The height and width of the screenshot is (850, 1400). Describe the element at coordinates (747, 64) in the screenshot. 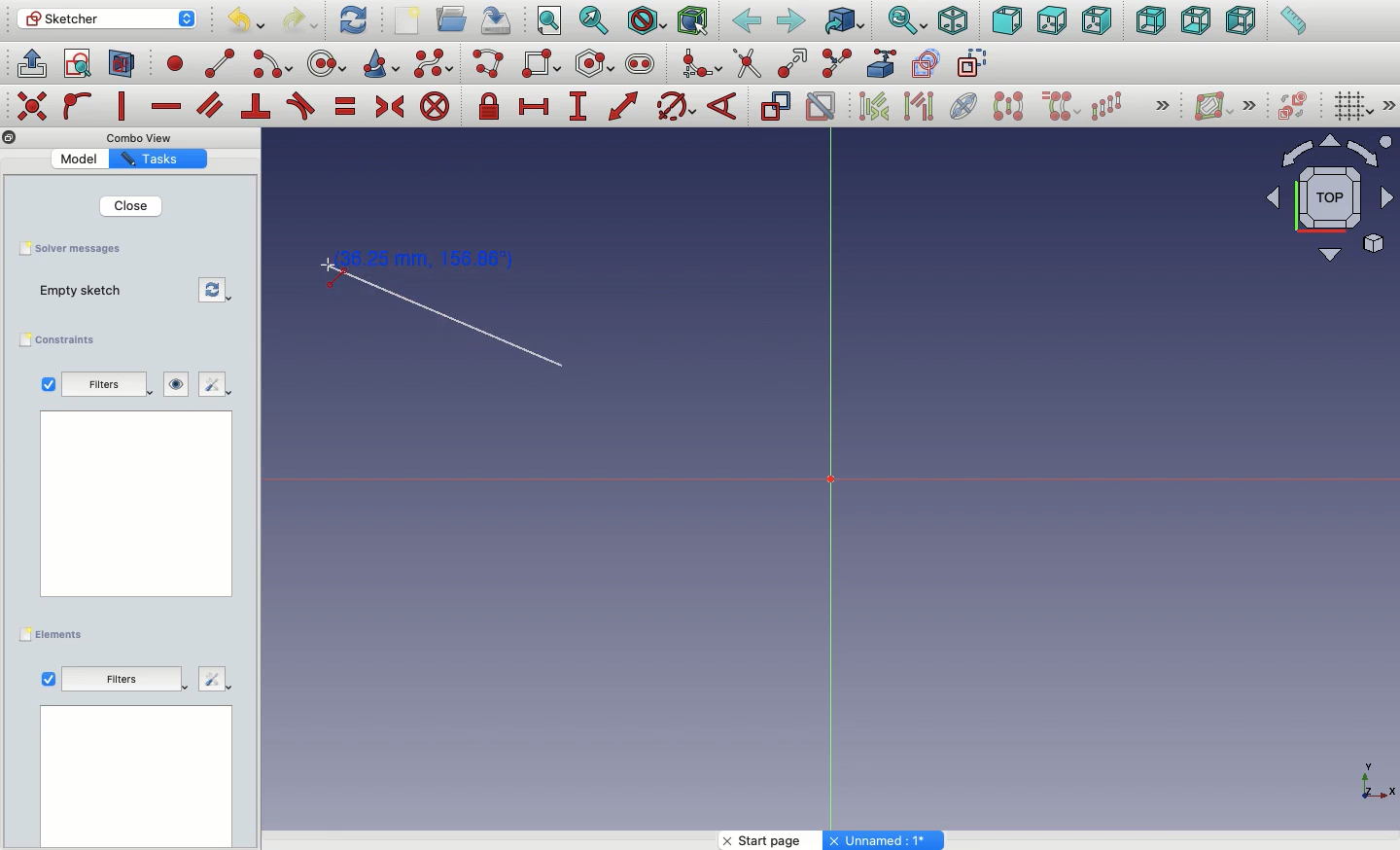

I see `trim edge` at that location.